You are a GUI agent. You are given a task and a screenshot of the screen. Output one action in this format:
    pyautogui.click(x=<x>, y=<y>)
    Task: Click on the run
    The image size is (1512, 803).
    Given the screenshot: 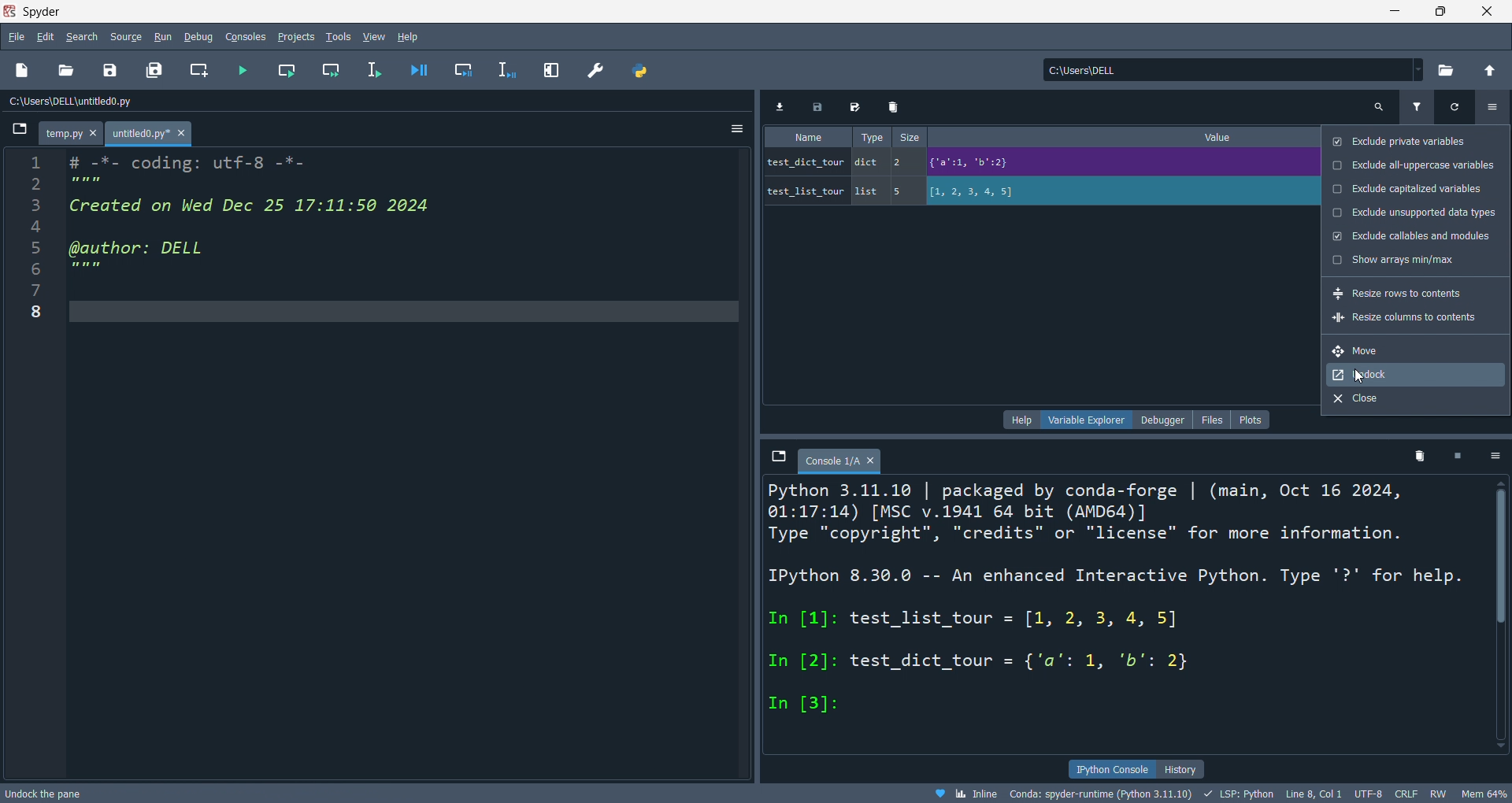 What is the action you would take?
    pyautogui.click(x=162, y=38)
    